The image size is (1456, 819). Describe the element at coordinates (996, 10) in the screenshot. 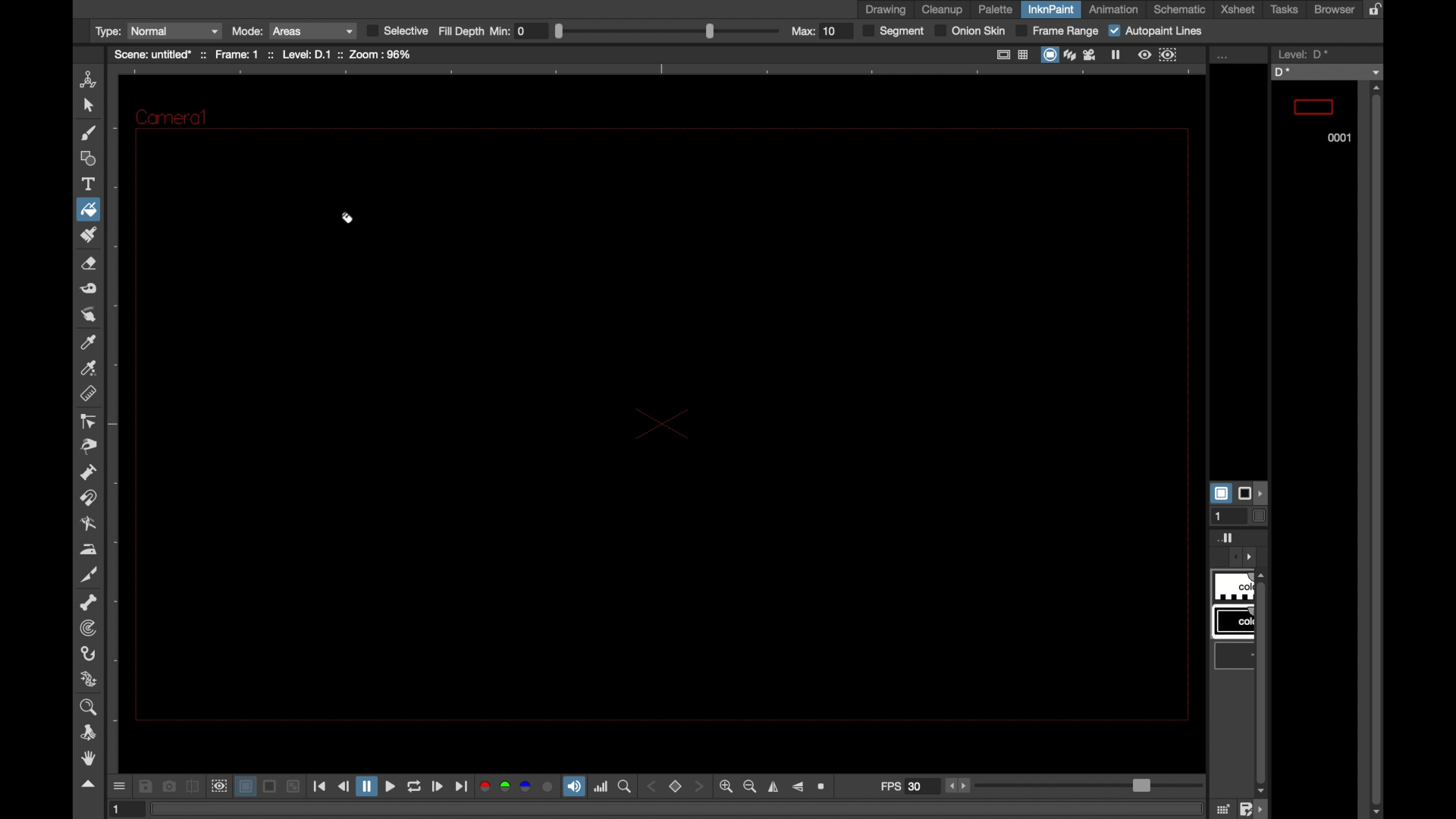

I see `palette` at that location.